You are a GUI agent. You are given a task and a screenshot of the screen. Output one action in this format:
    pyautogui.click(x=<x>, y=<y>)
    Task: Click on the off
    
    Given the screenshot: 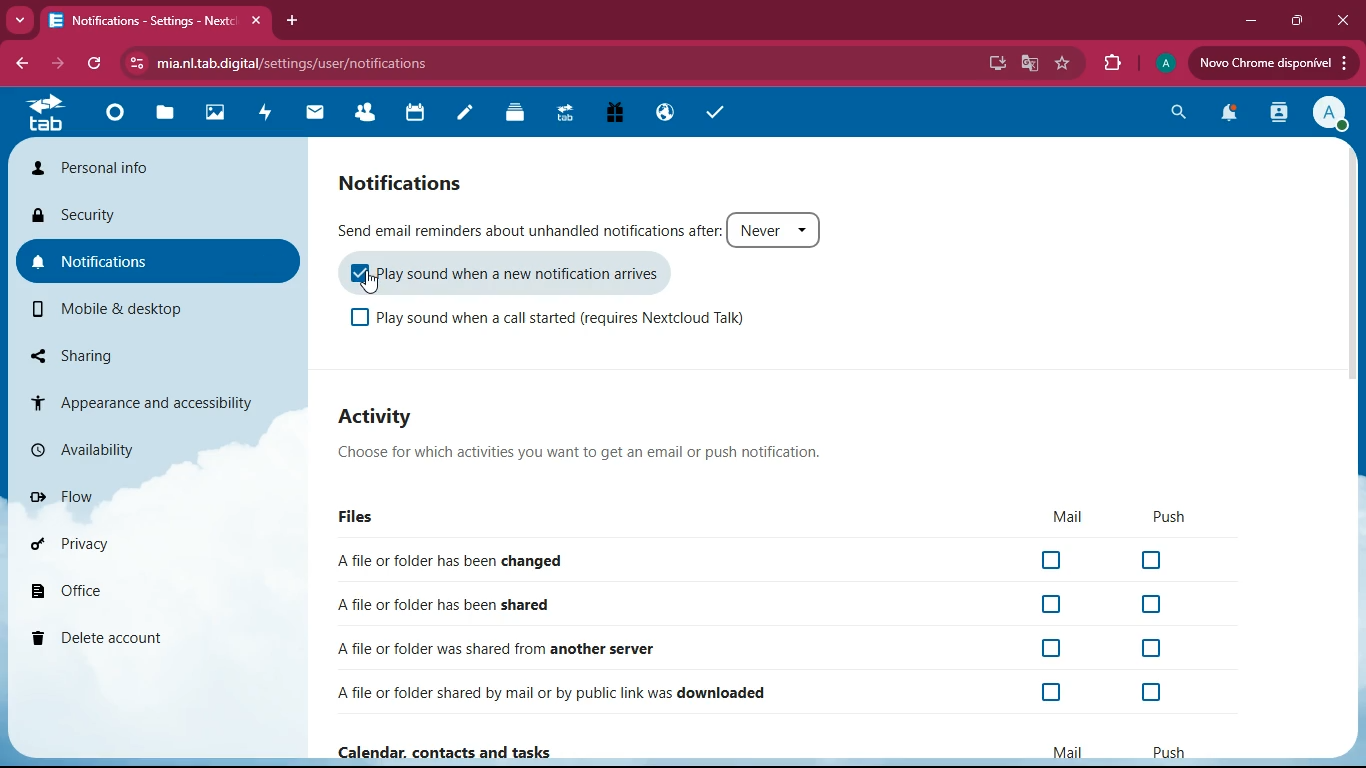 What is the action you would take?
    pyautogui.click(x=1151, y=603)
    